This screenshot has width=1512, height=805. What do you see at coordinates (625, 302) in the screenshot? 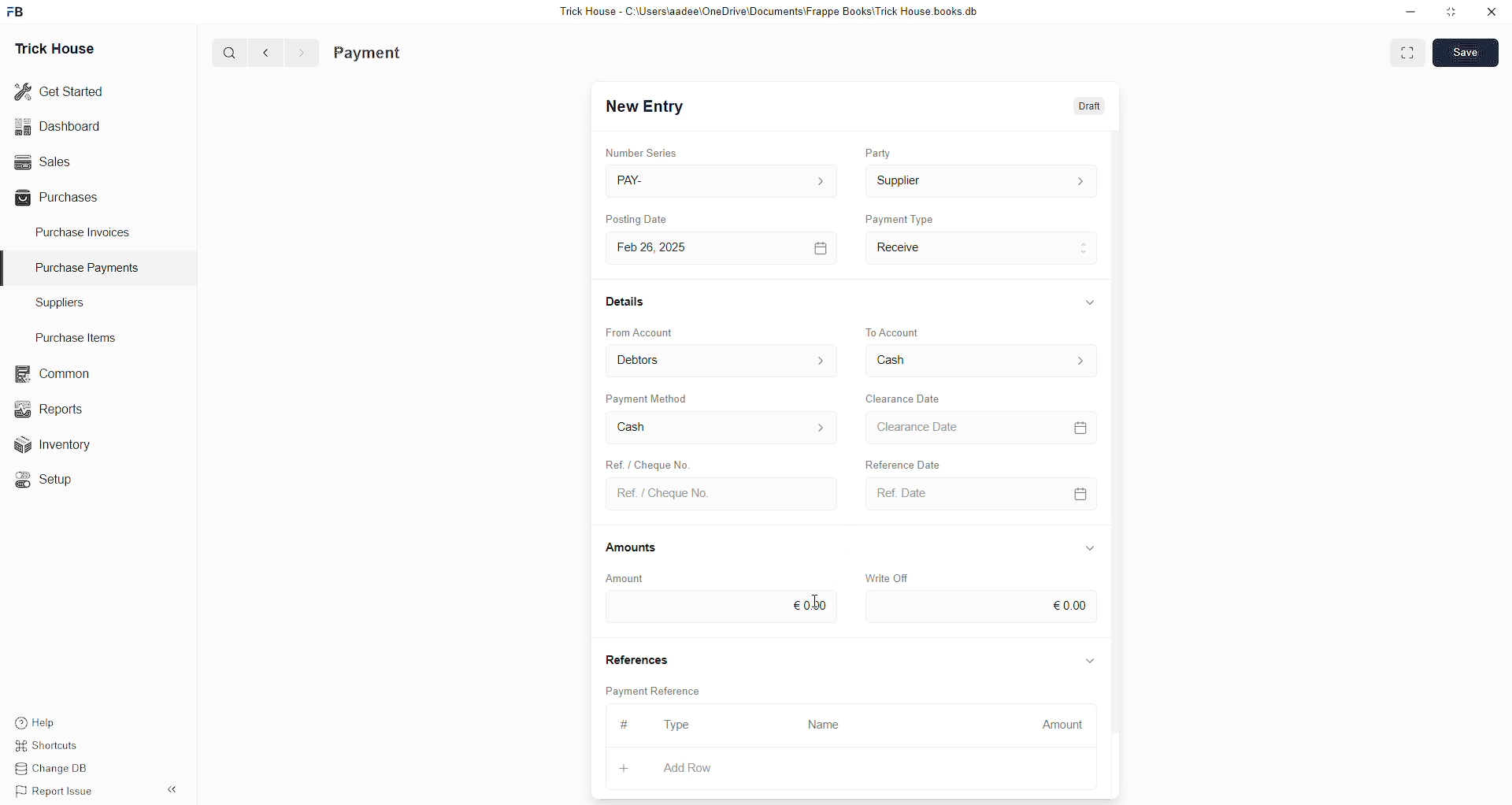
I see `Details` at bounding box center [625, 302].